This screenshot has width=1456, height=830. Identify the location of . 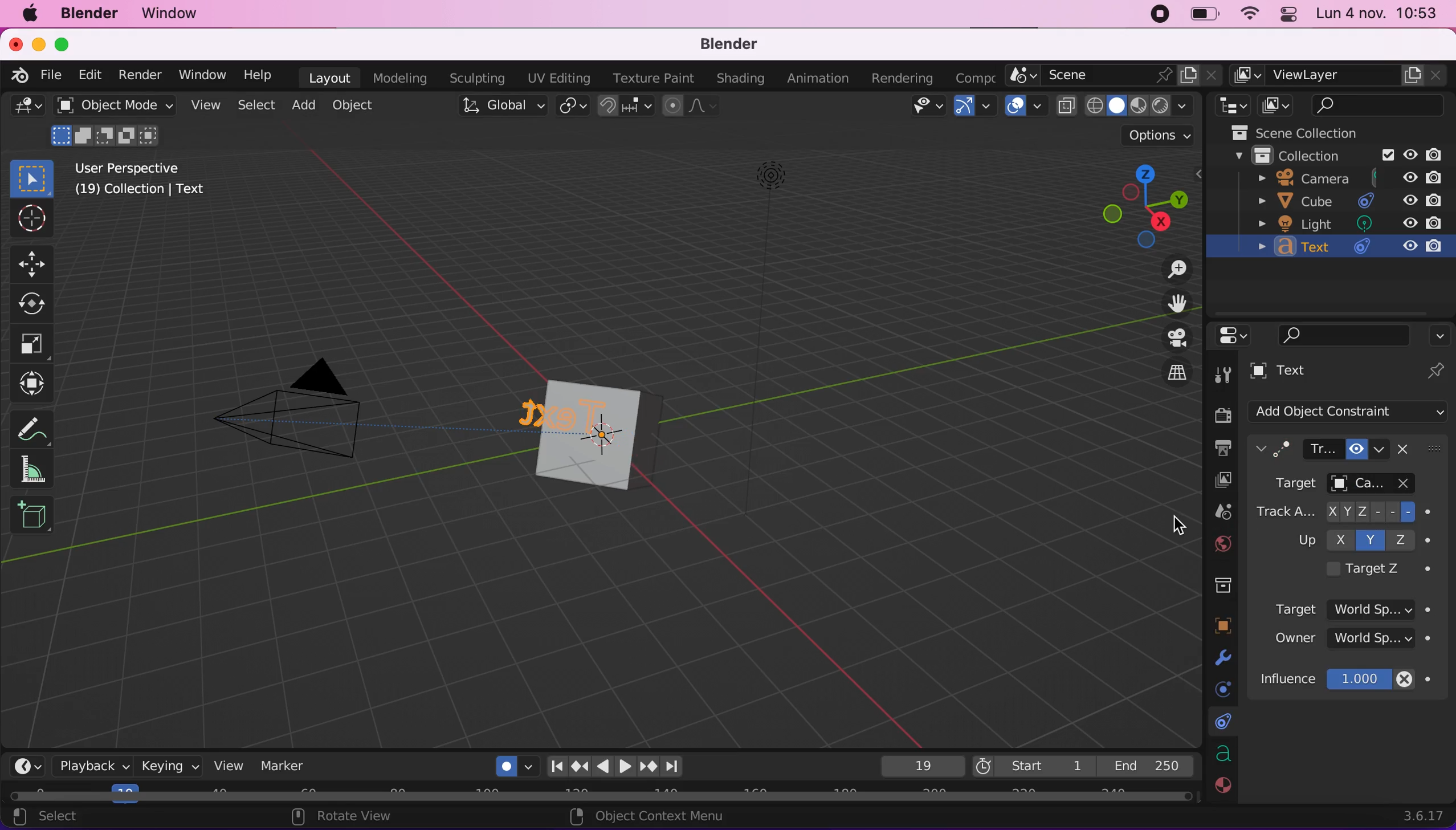
(508, 763).